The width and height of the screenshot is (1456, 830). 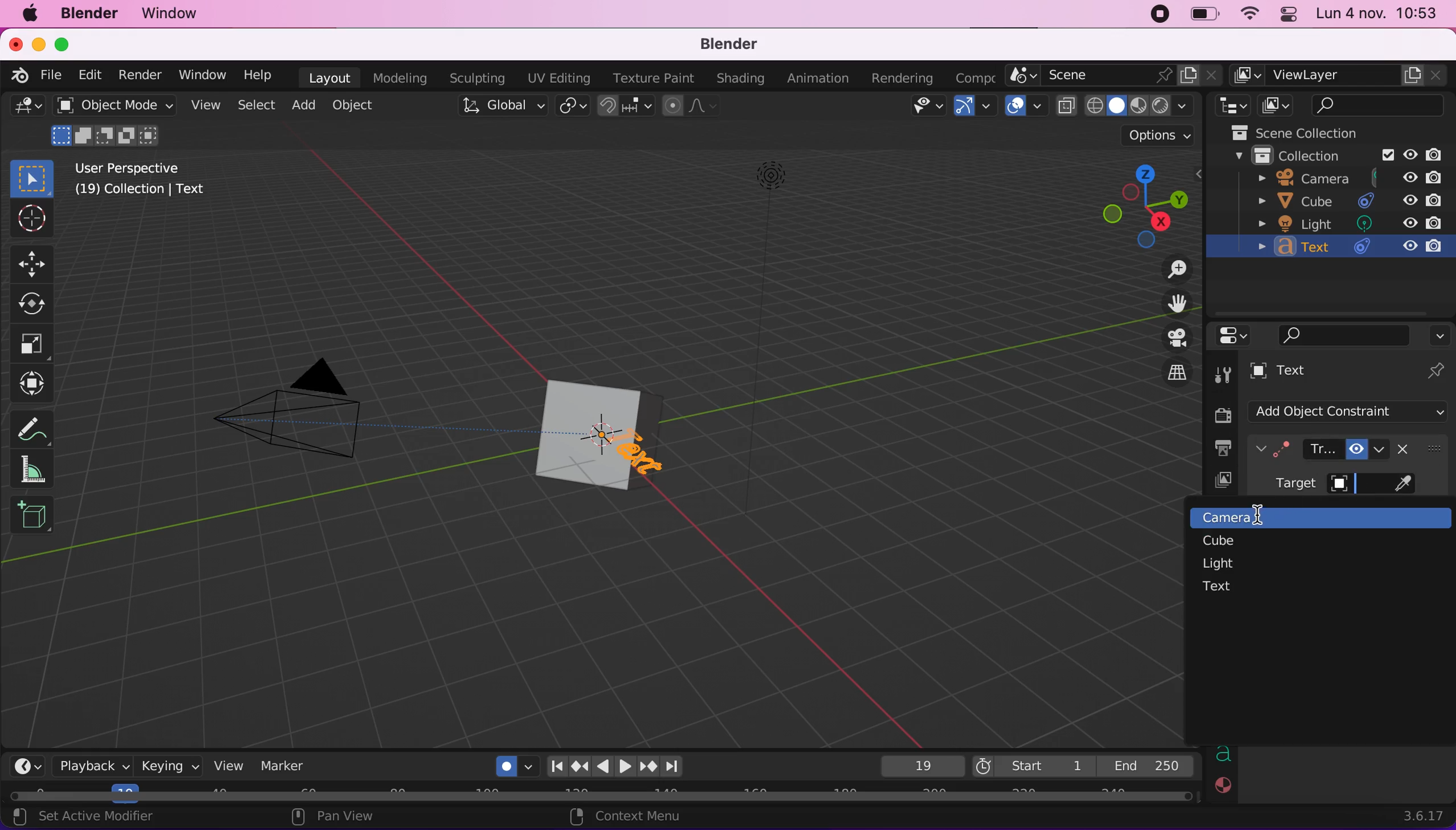 I want to click on view, so click(x=209, y=108).